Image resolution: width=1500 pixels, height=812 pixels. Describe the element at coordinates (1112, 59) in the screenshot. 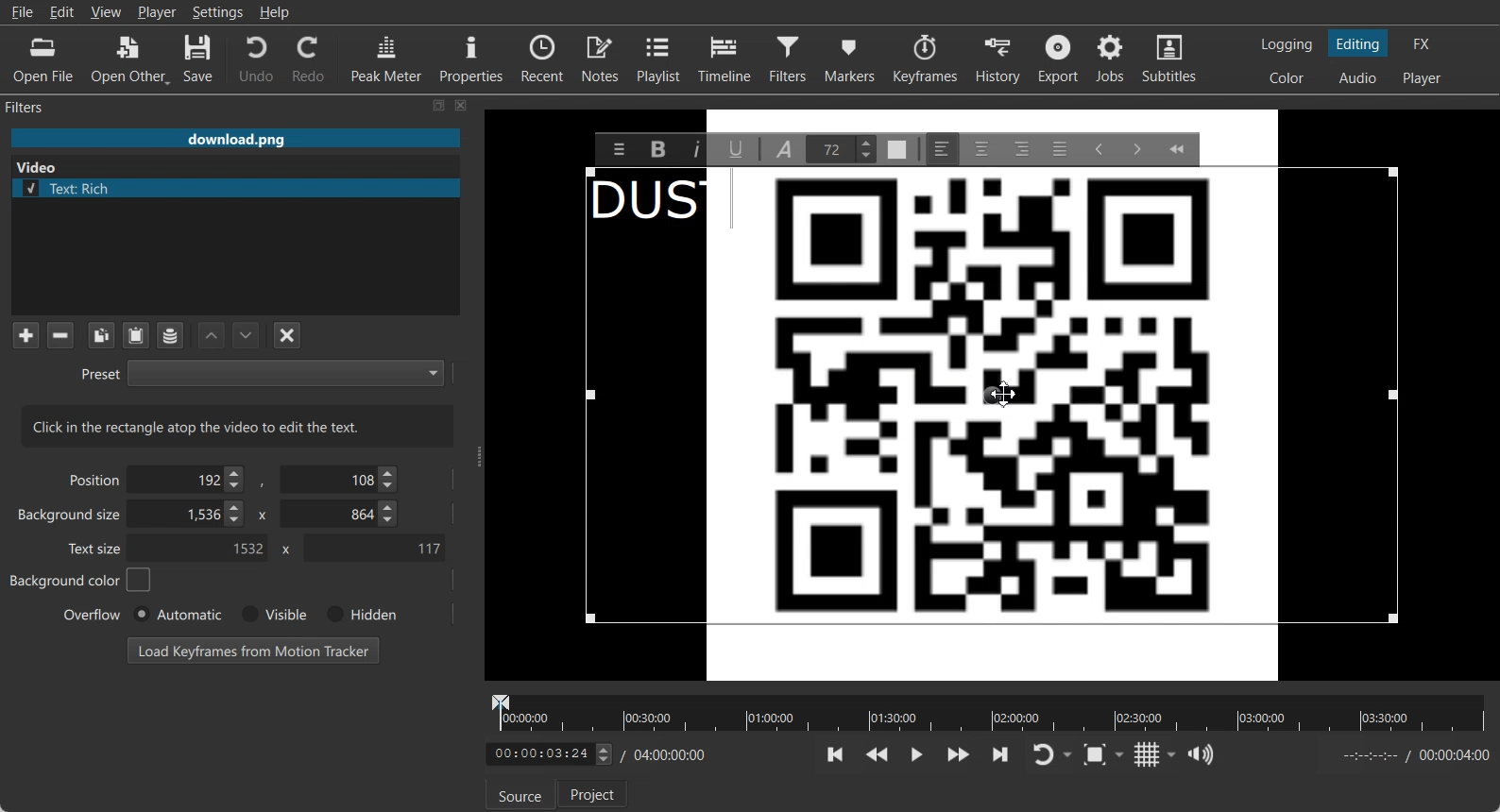

I see `Jobs` at that location.